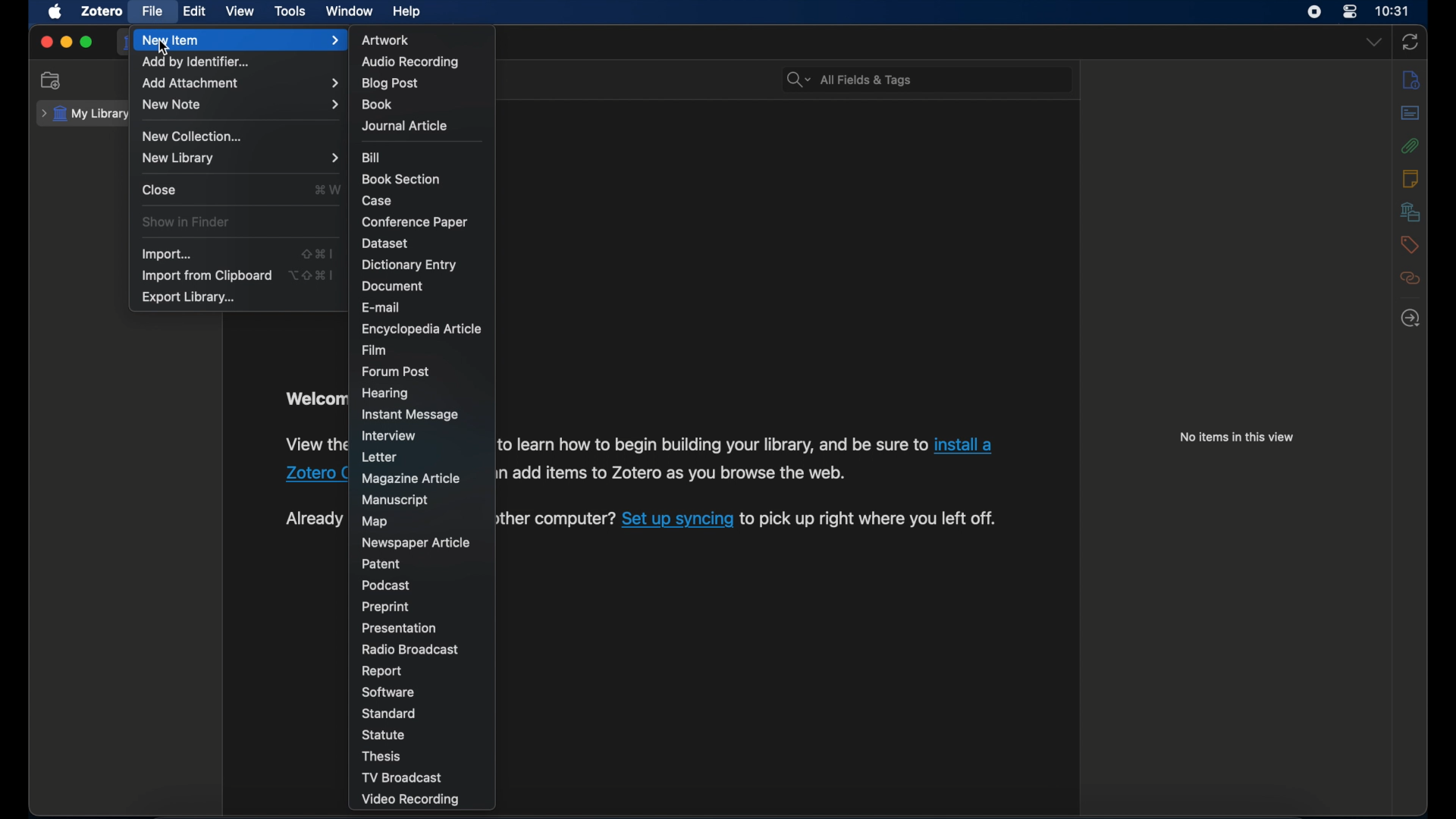 The height and width of the screenshot is (819, 1456). What do you see at coordinates (676, 519) in the screenshot?
I see `link` at bounding box center [676, 519].